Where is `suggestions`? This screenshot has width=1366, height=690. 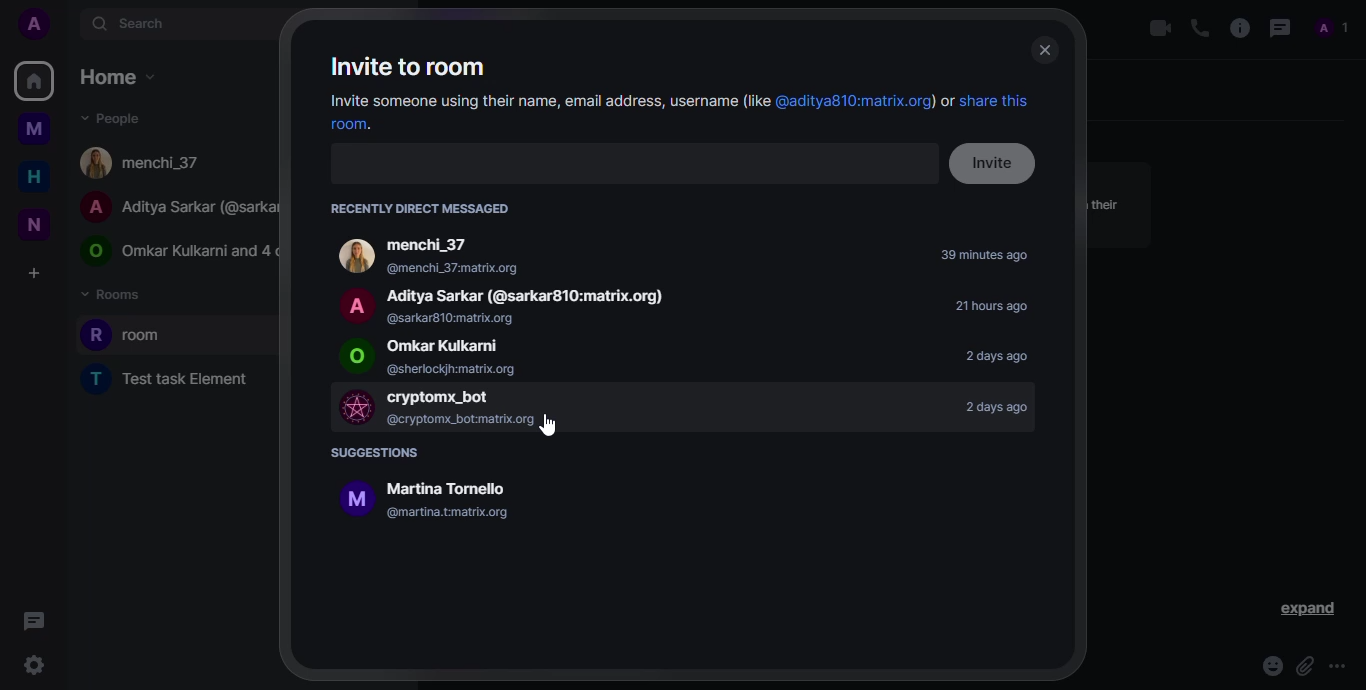 suggestions is located at coordinates (377, 453).